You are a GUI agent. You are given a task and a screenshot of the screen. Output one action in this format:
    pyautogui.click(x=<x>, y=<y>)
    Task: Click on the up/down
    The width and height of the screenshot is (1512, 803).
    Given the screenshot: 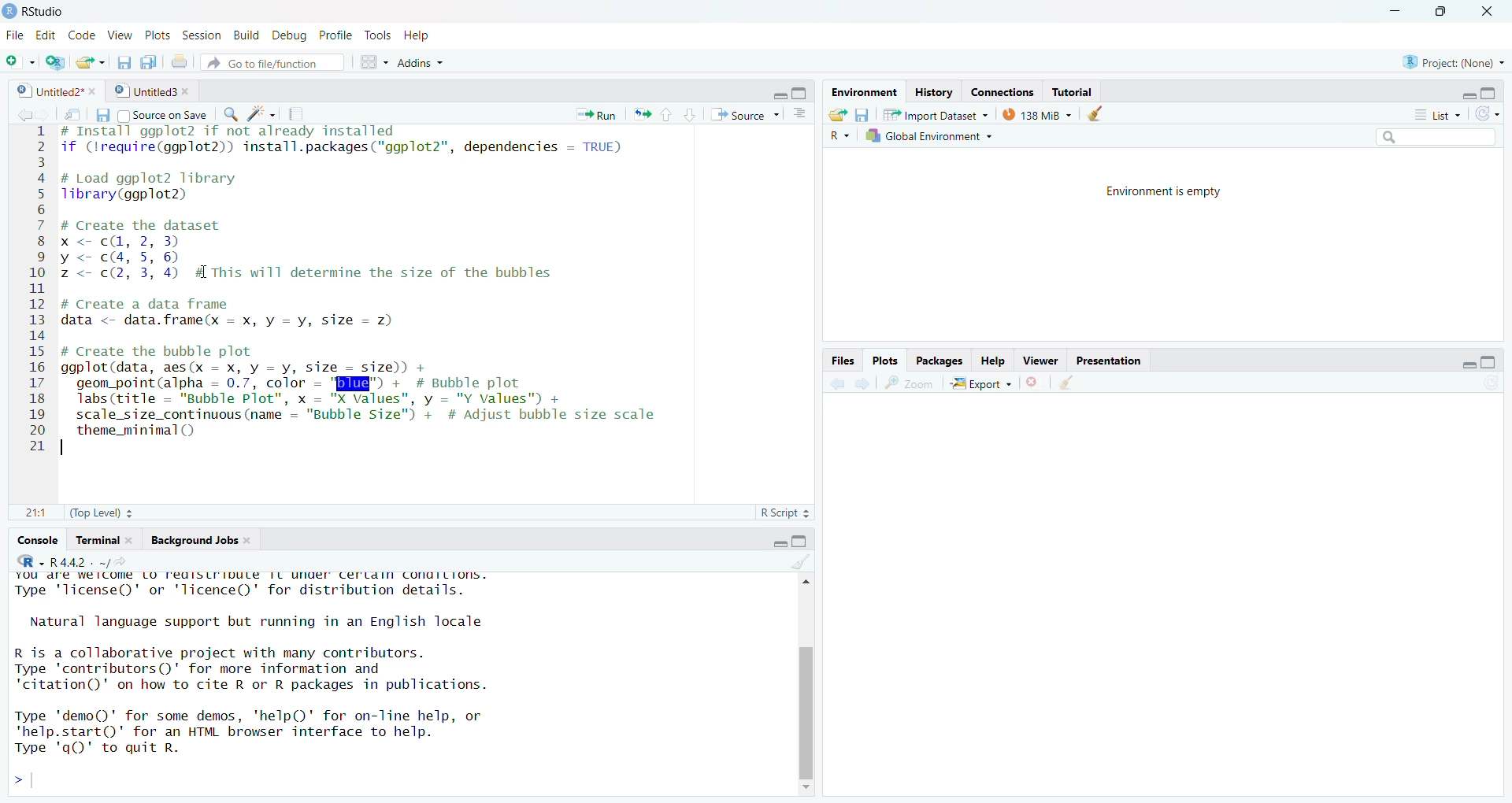 What is the action you would take?
    pyautogui.click(x=675, y=115)
    